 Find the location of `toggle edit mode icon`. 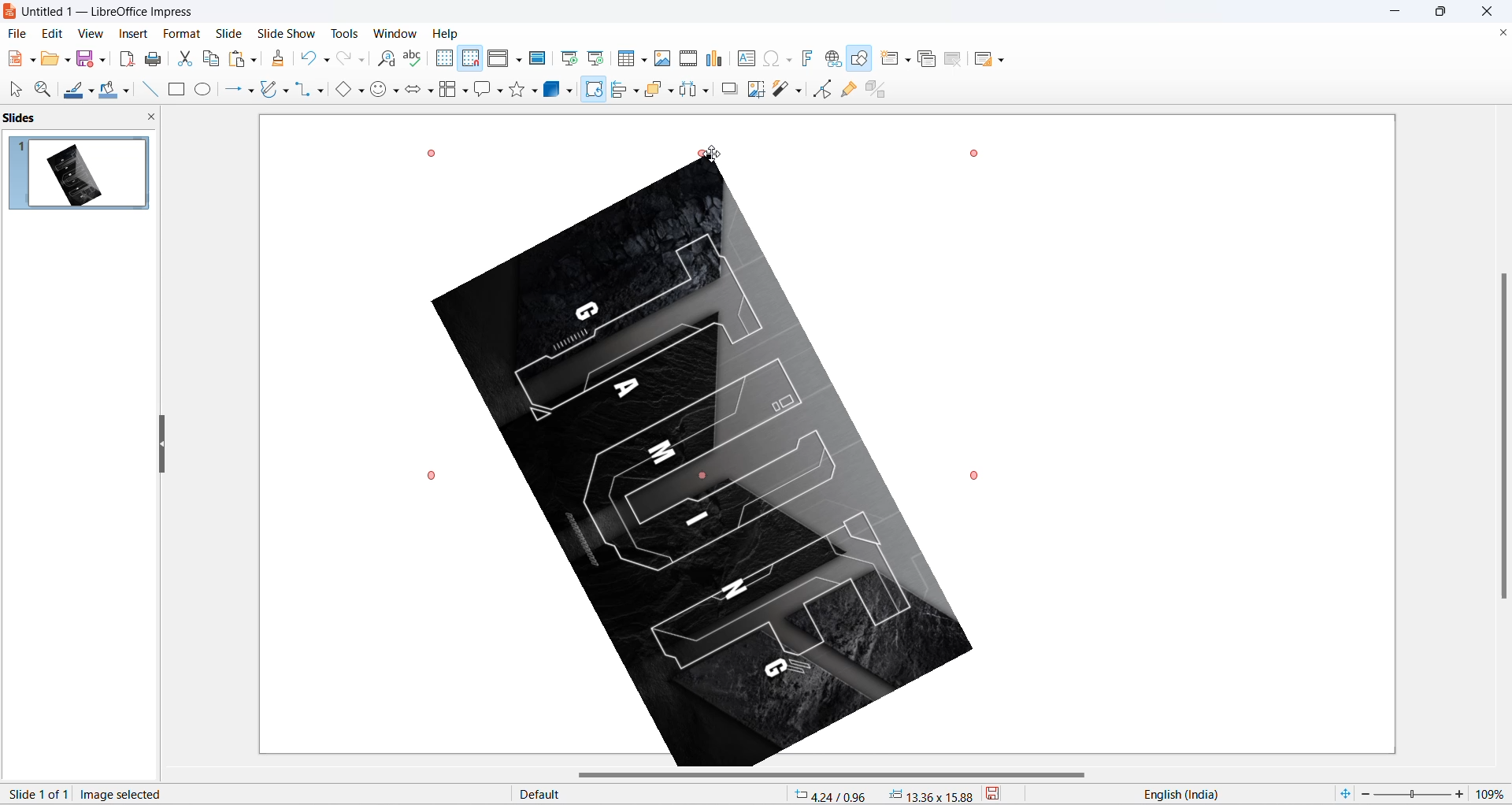

toggle edit mode icon is located at coordinates (825, 88).